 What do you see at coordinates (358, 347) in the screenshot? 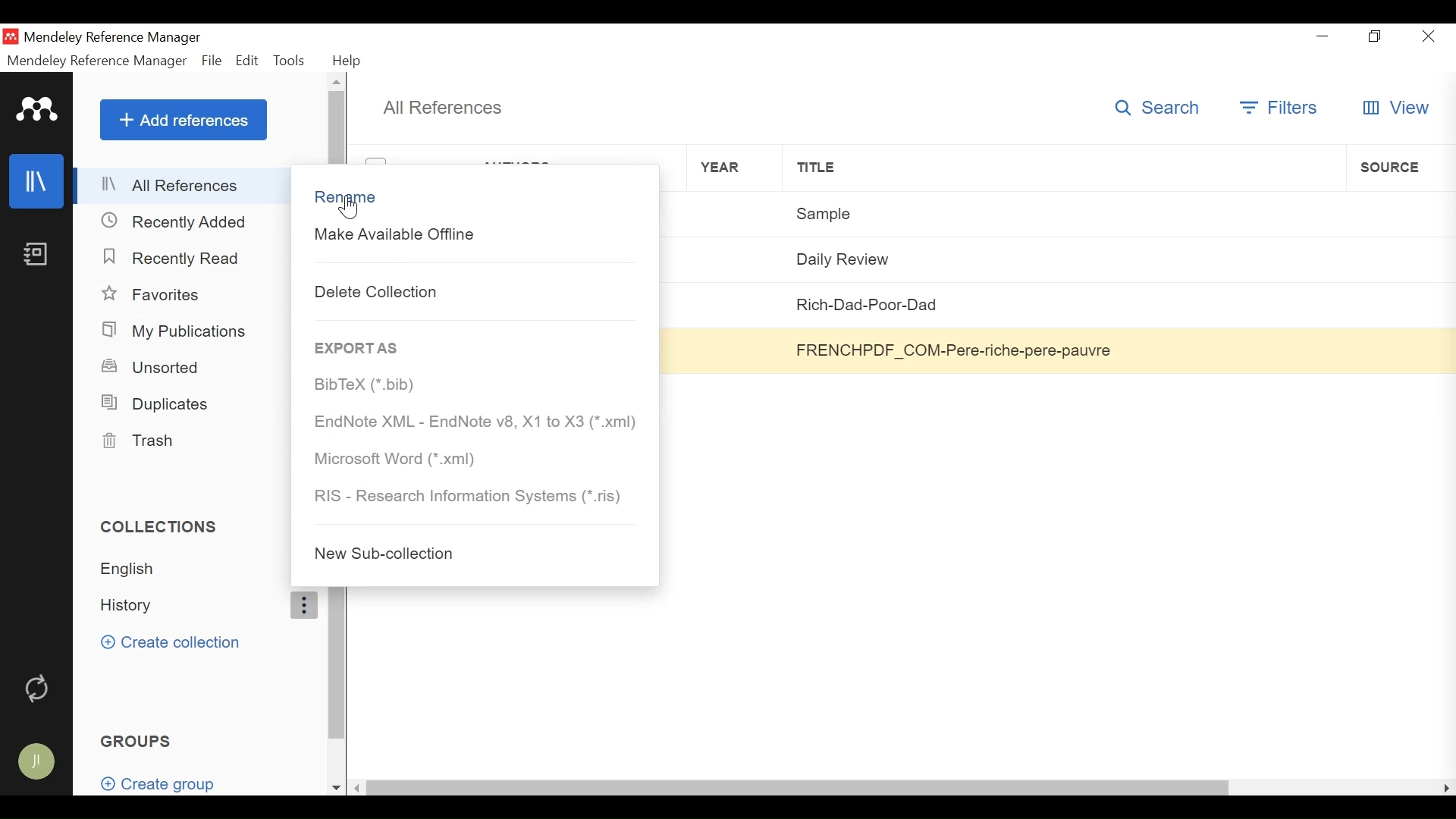
I see `Export As` at bounding box center [358, 347].